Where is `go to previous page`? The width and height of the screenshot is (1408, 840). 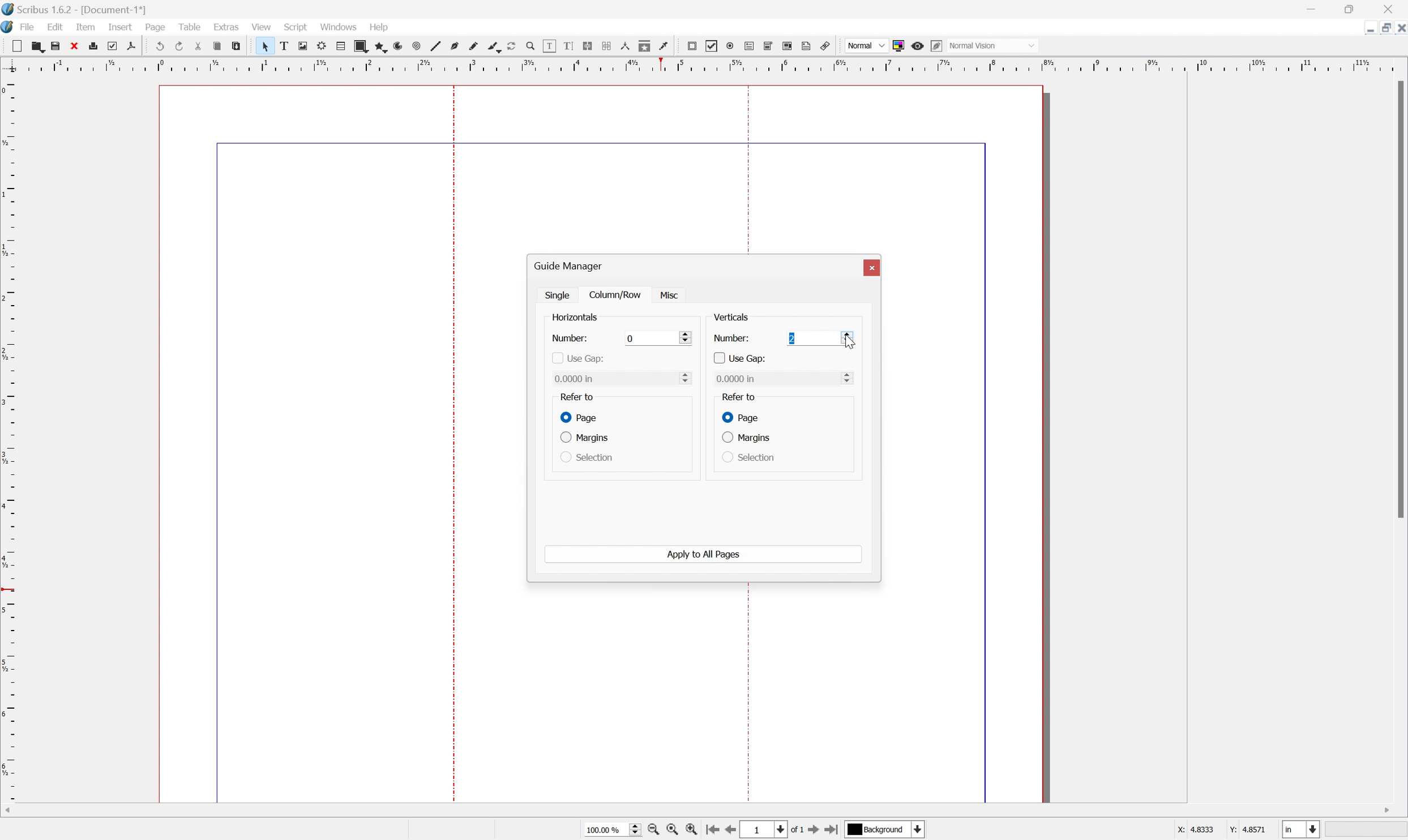 go to previous page is located at coordinates (730, 831).